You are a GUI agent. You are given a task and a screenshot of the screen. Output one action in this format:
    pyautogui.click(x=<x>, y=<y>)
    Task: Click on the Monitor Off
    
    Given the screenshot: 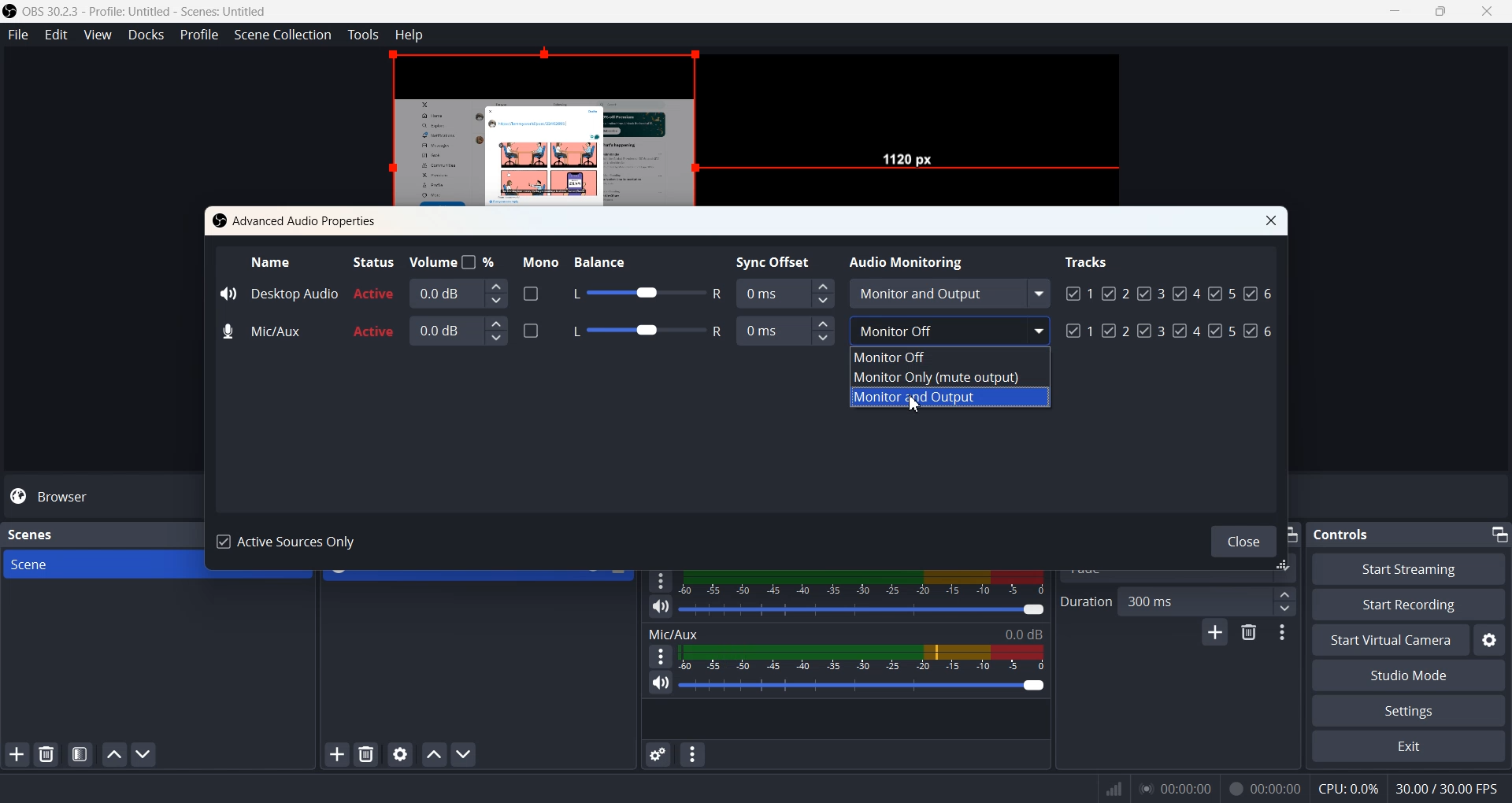 What is the action you would take?
    pyautogui.click(x=951, y=356)
    